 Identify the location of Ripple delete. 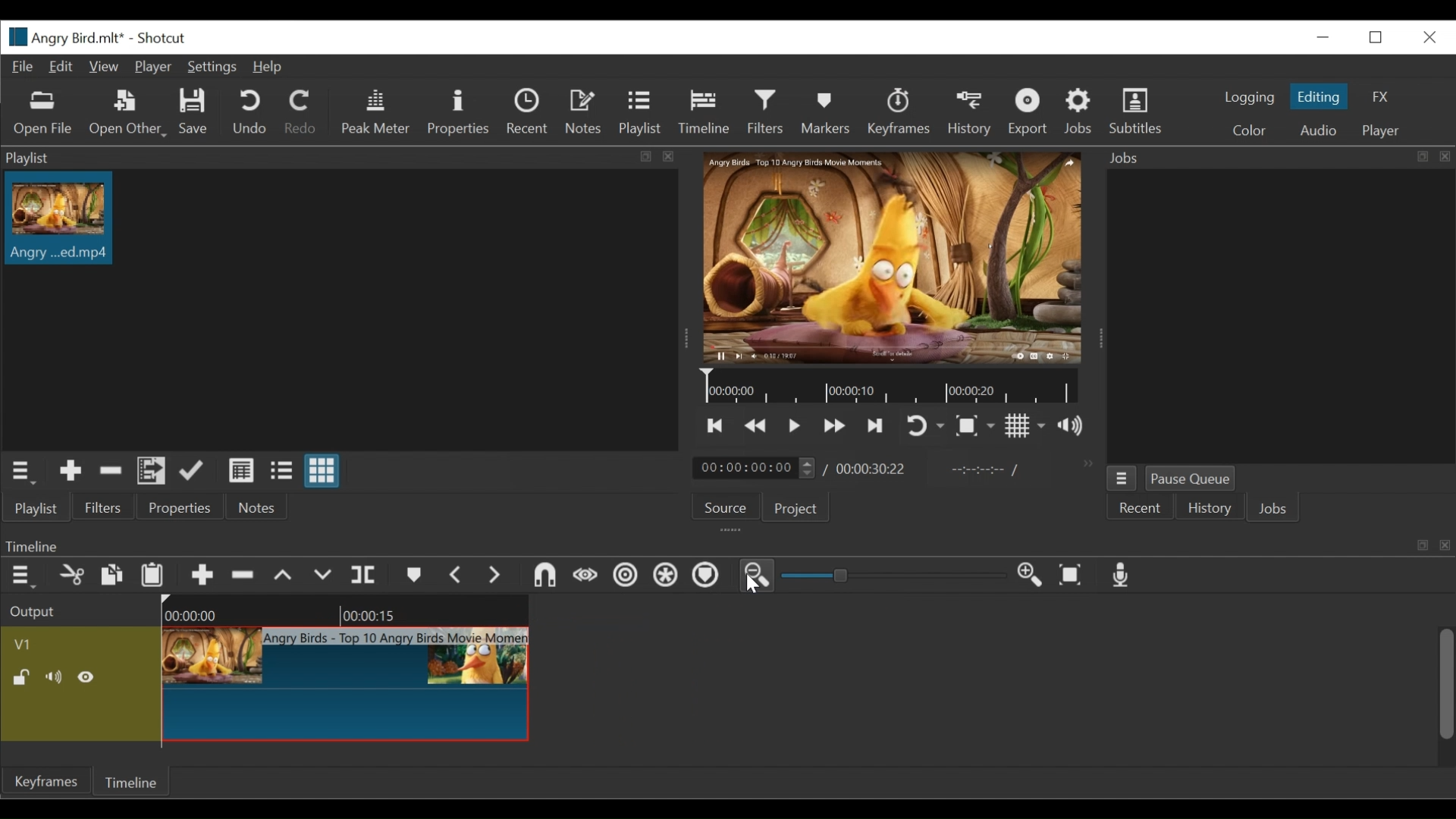
(243, 575).